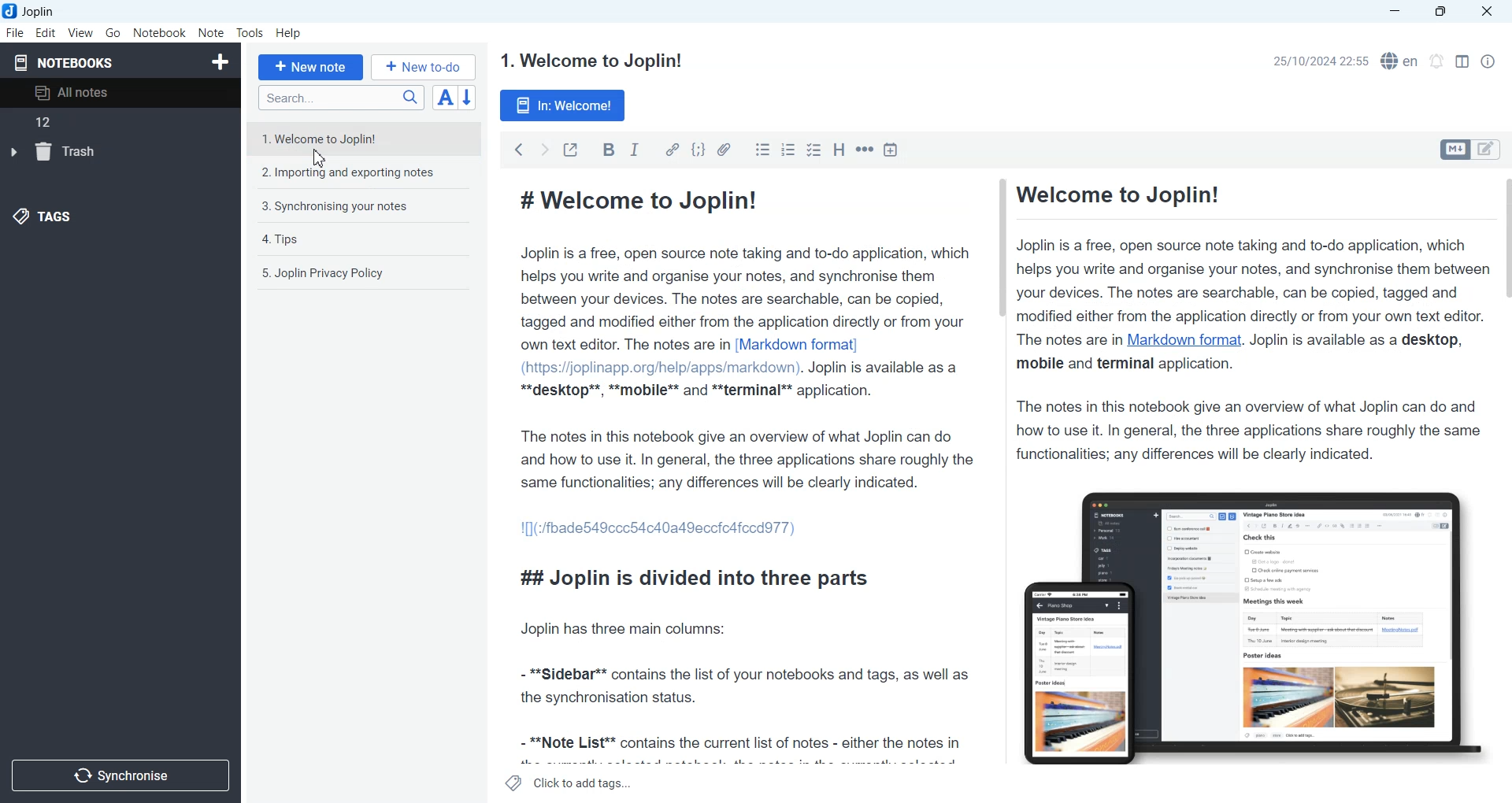 Image resolution: width=1512 pixels, height=803 pixels. I want to click on Hyperlink, so click(672, 150).